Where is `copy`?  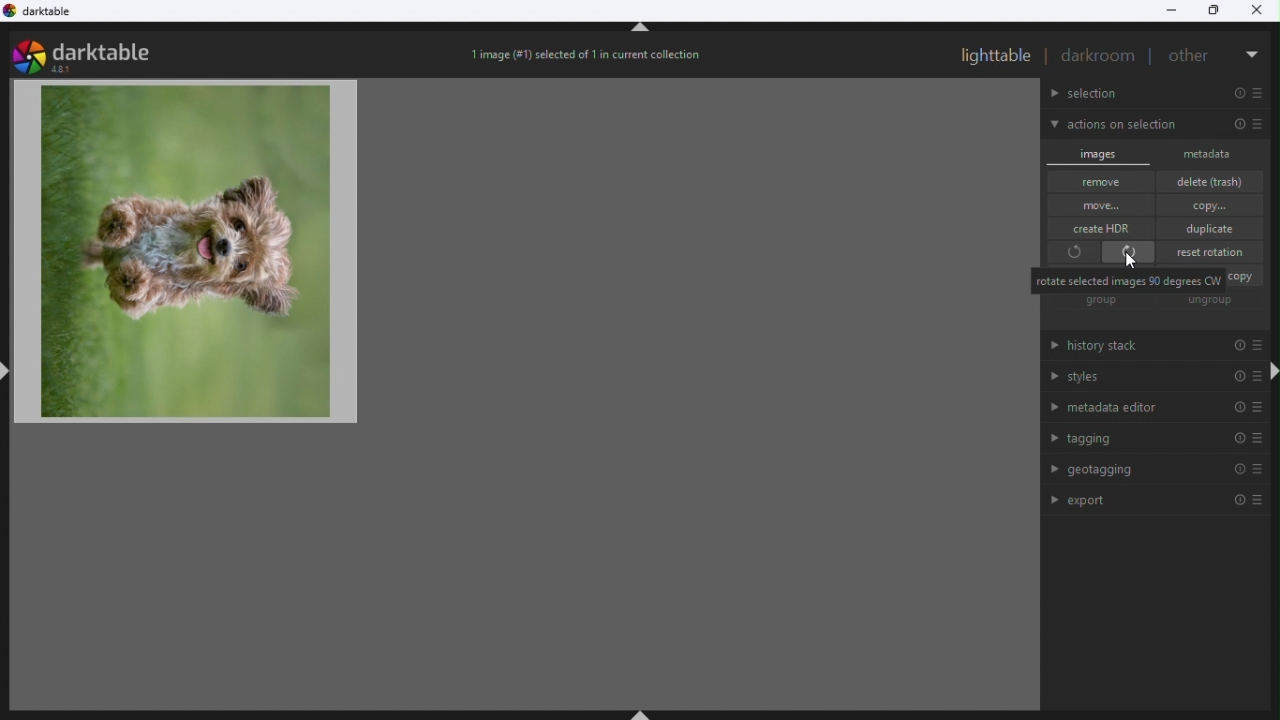
copy is located at coordinates (1212, 205).